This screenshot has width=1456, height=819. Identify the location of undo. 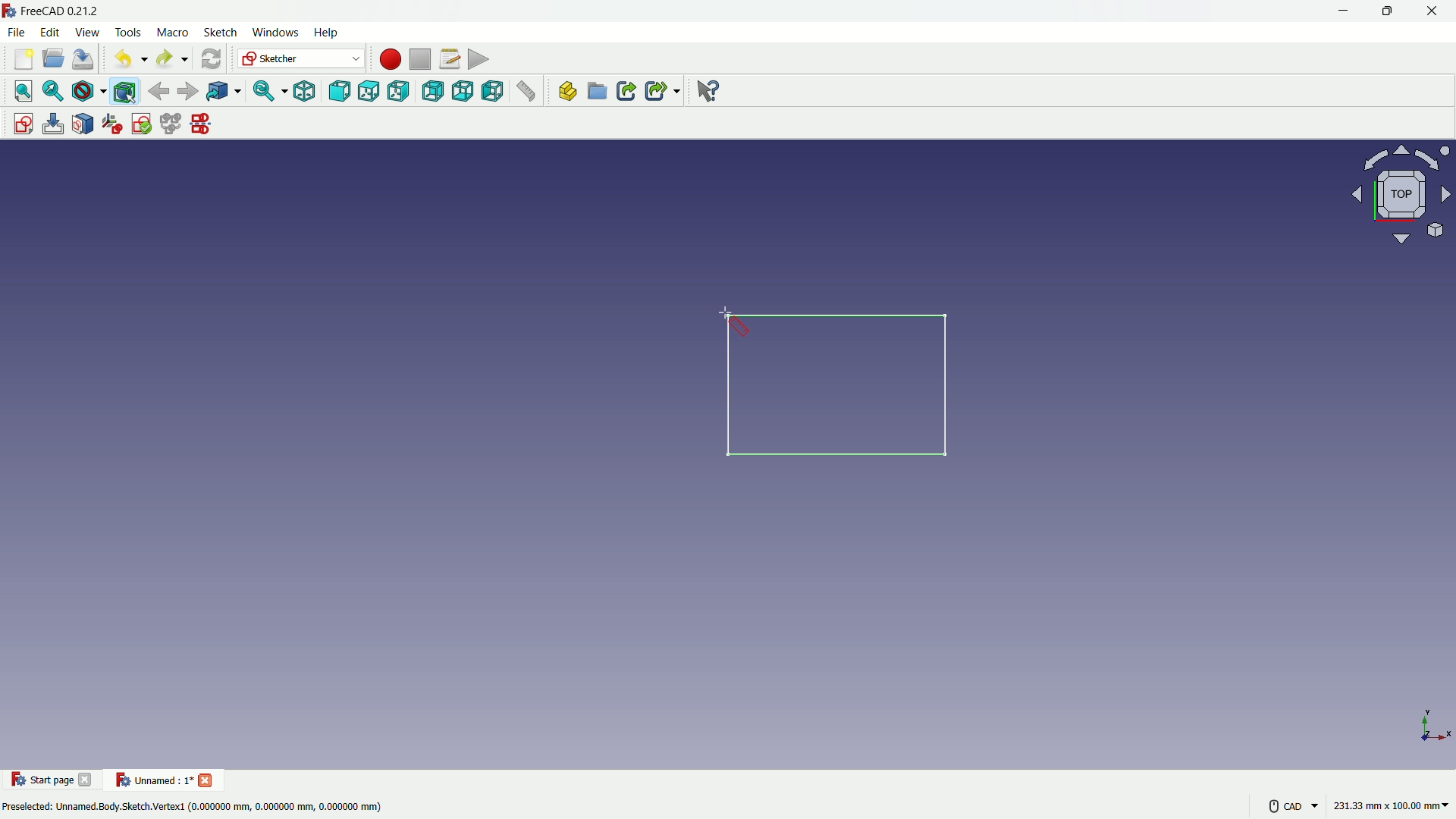
(126, 60).